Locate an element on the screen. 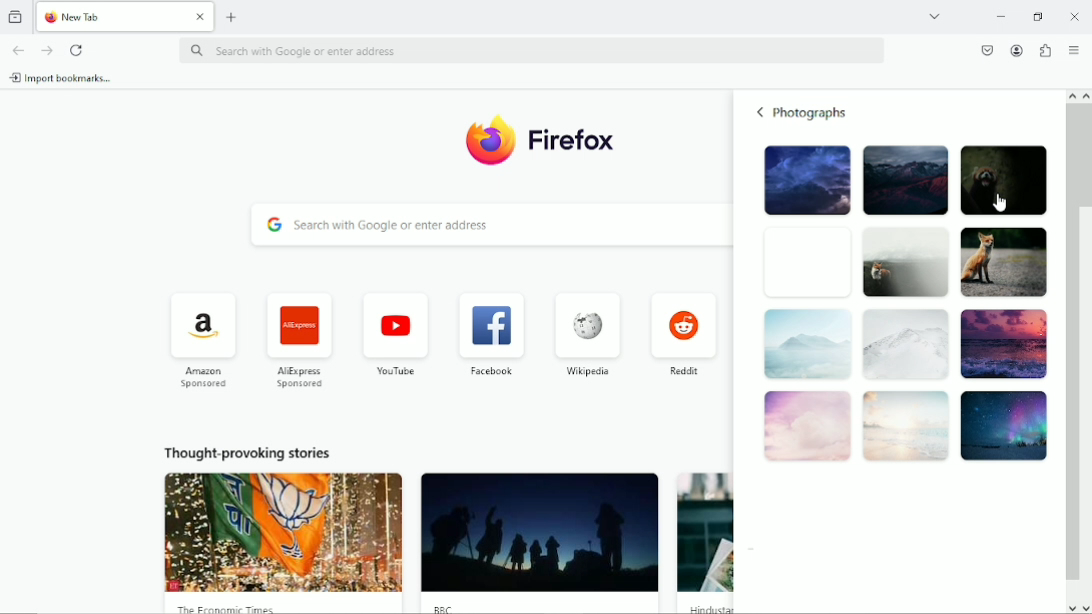 Image resolution: width=1092 pixels, height=614 pixels. Extensions is located at coordinates (1045, 49).